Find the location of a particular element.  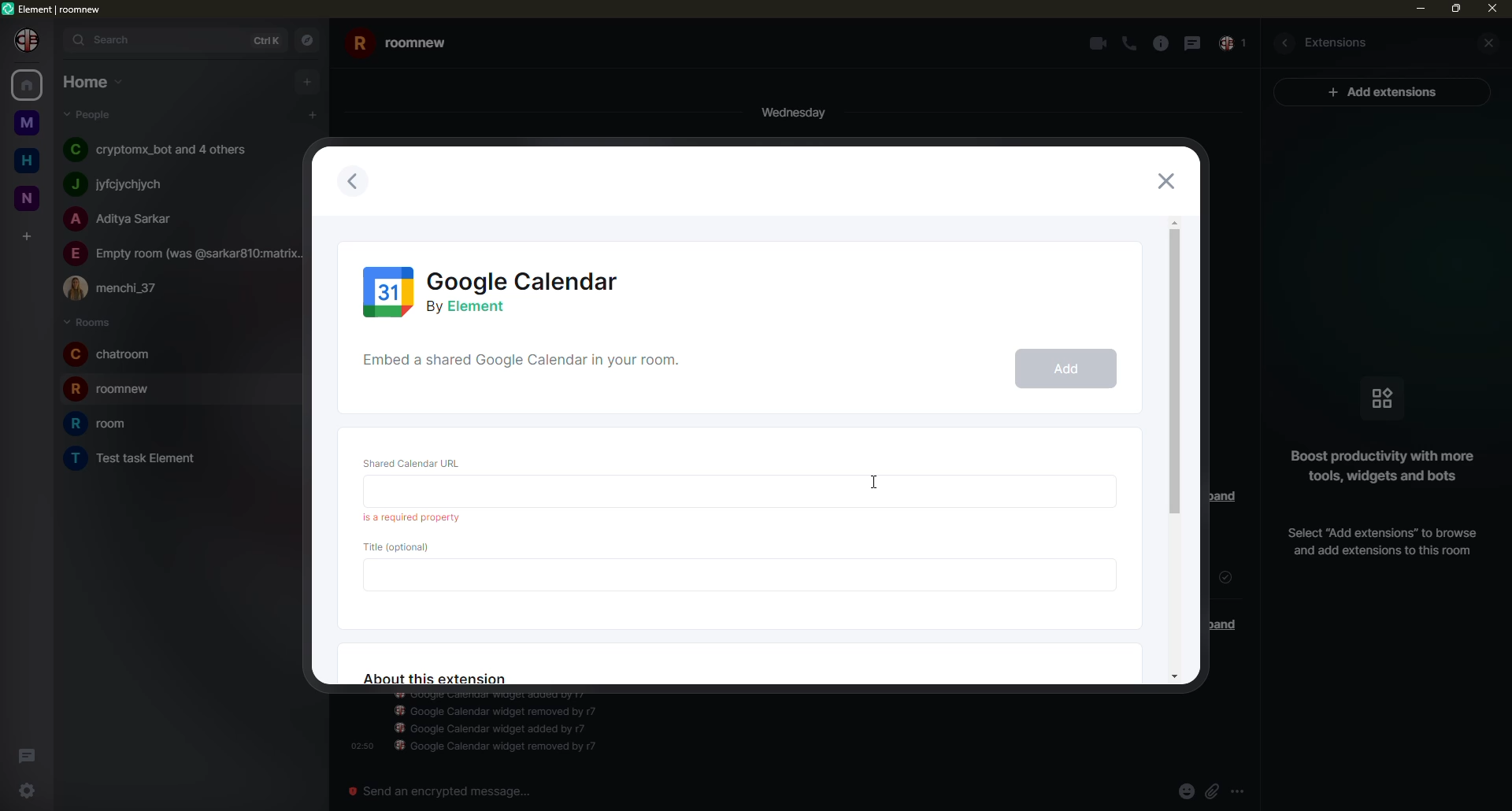

shared is located at coordinates (528, 365).